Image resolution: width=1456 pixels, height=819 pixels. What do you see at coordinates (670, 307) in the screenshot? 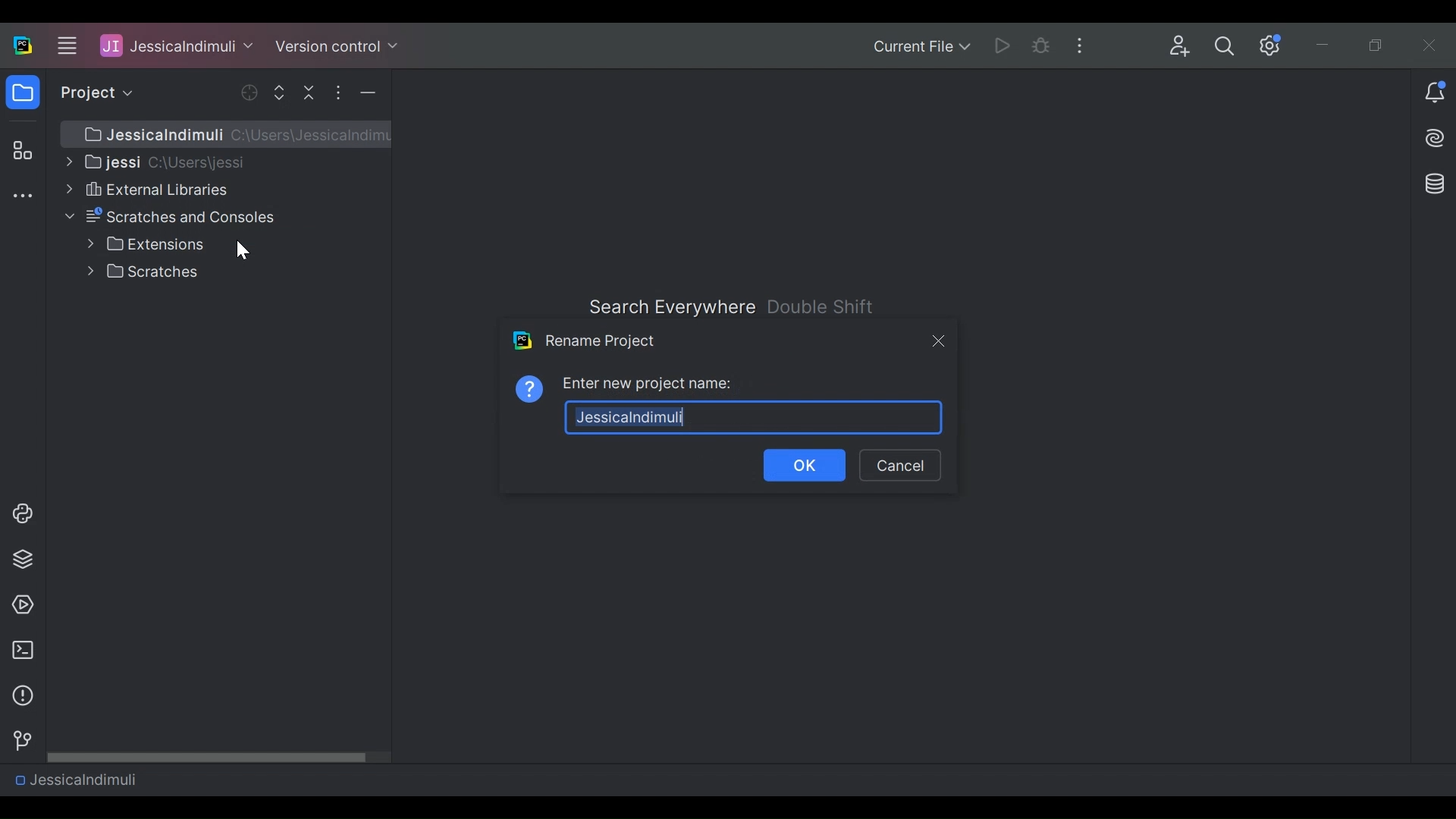
I see `Search Everywhere` at bounding box center [670, 307].